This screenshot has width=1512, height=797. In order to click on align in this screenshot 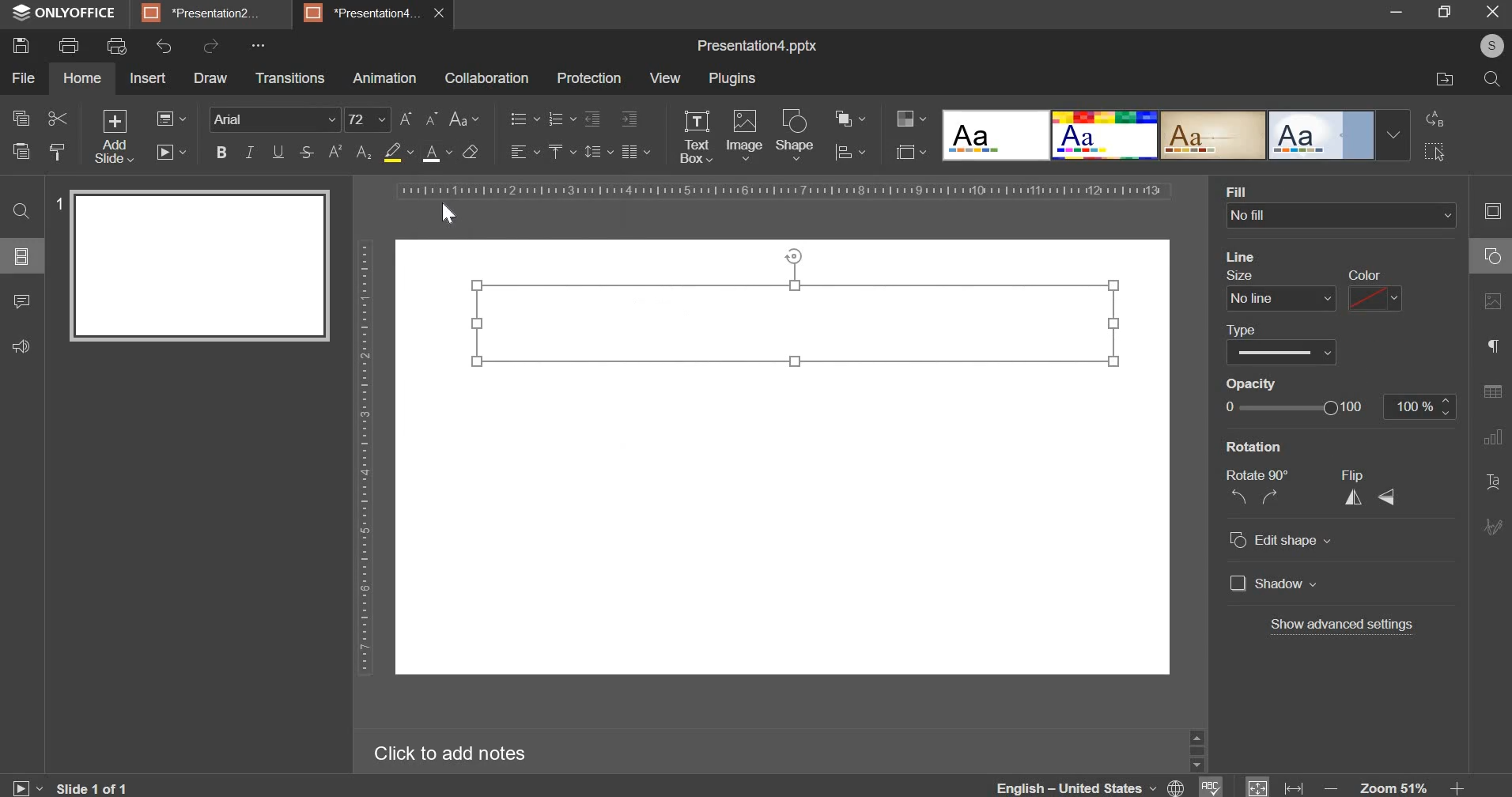, I will do `click(849, 154)`.